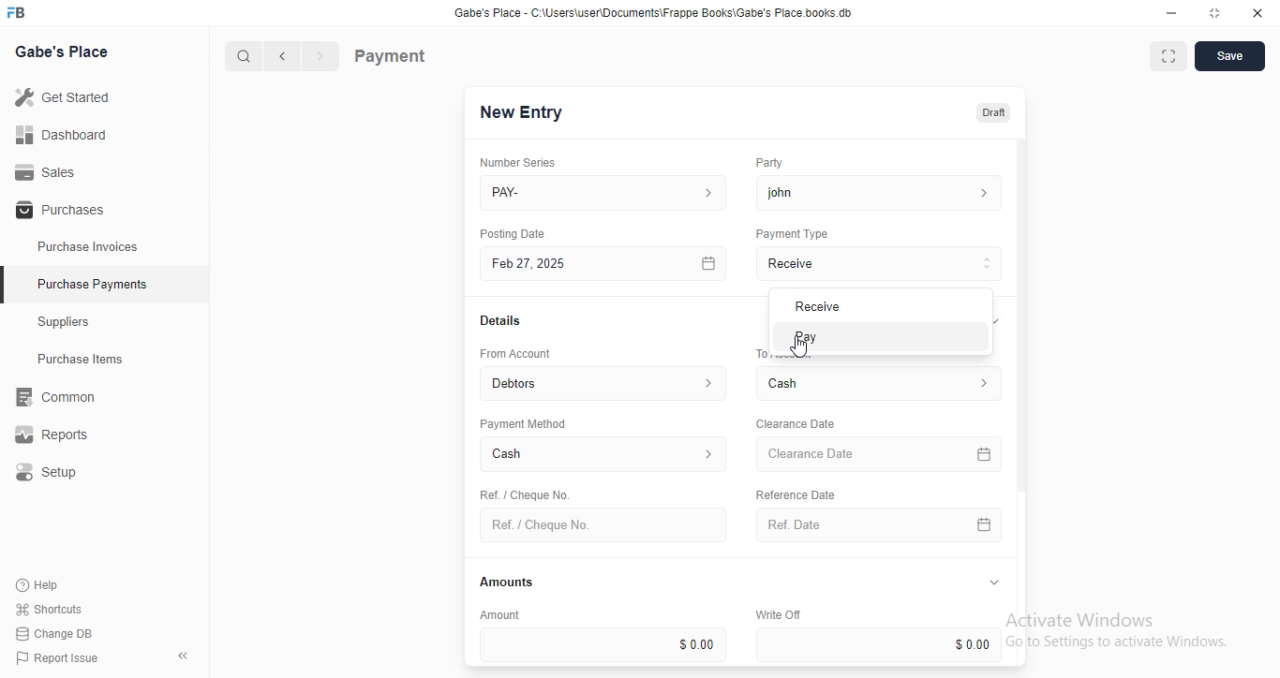  I want to click on cursor, so click(802, 348).